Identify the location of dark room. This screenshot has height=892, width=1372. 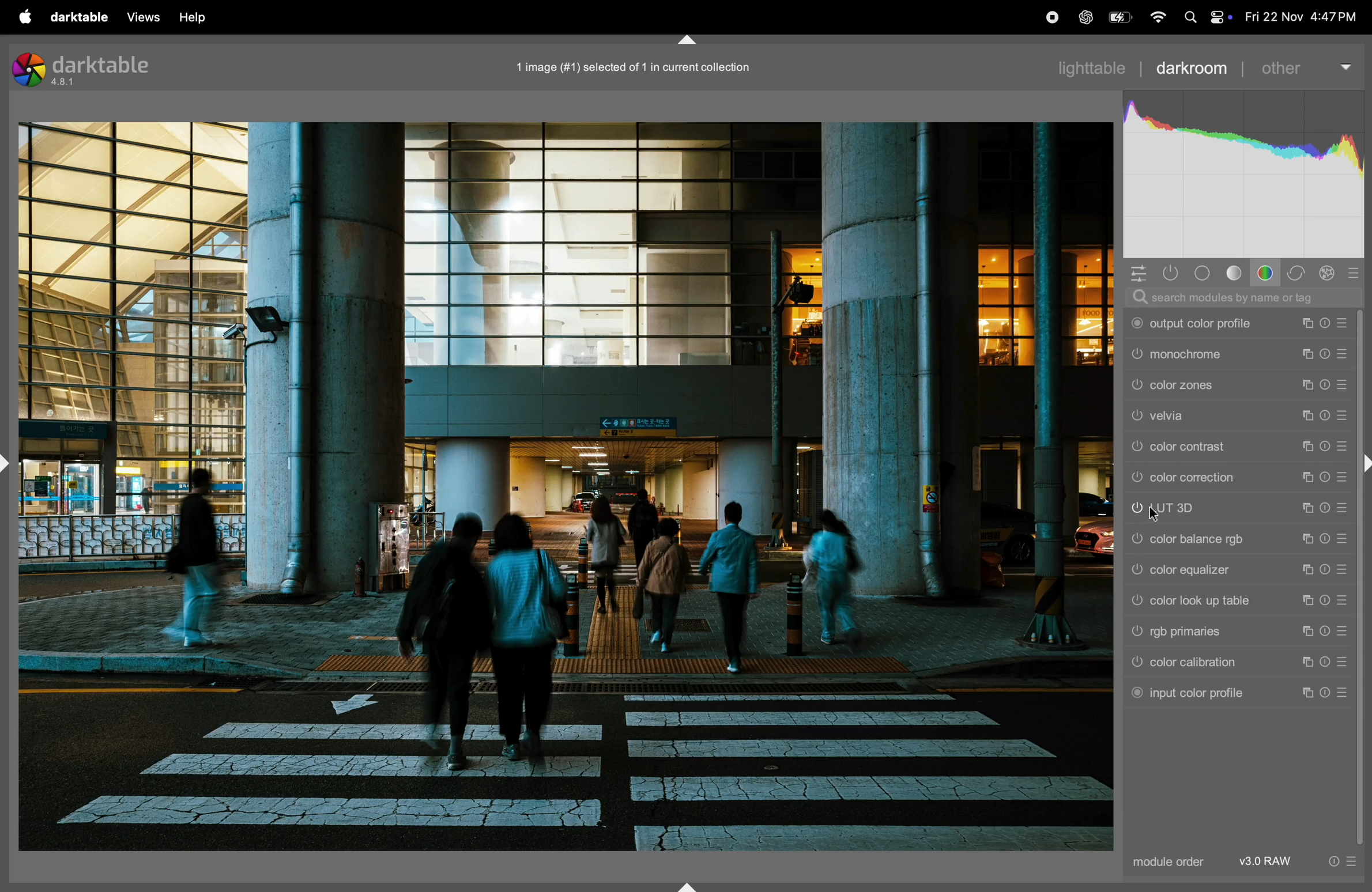
(1195, 67).